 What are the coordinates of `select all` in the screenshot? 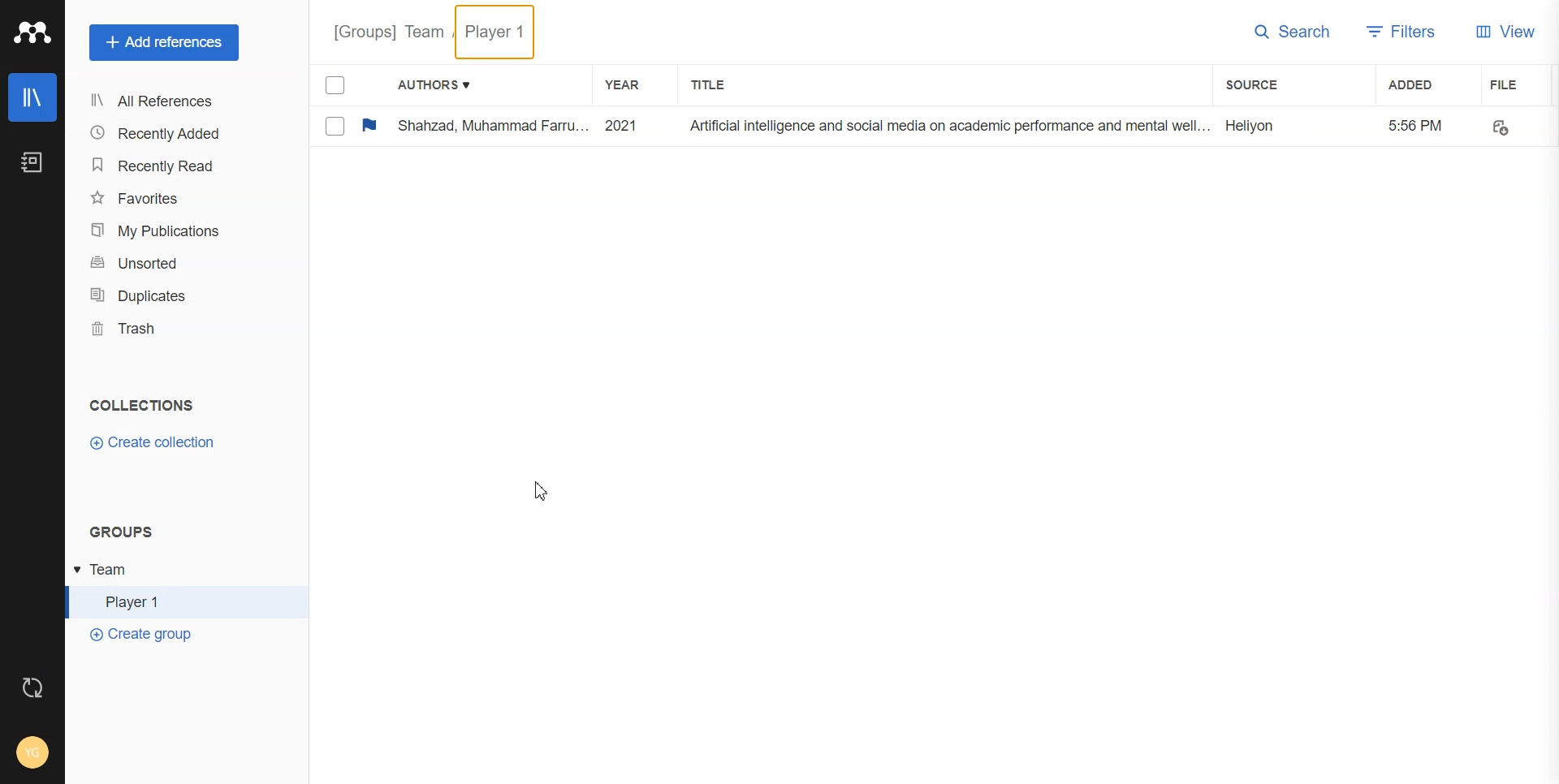 It's located at (337, 86).